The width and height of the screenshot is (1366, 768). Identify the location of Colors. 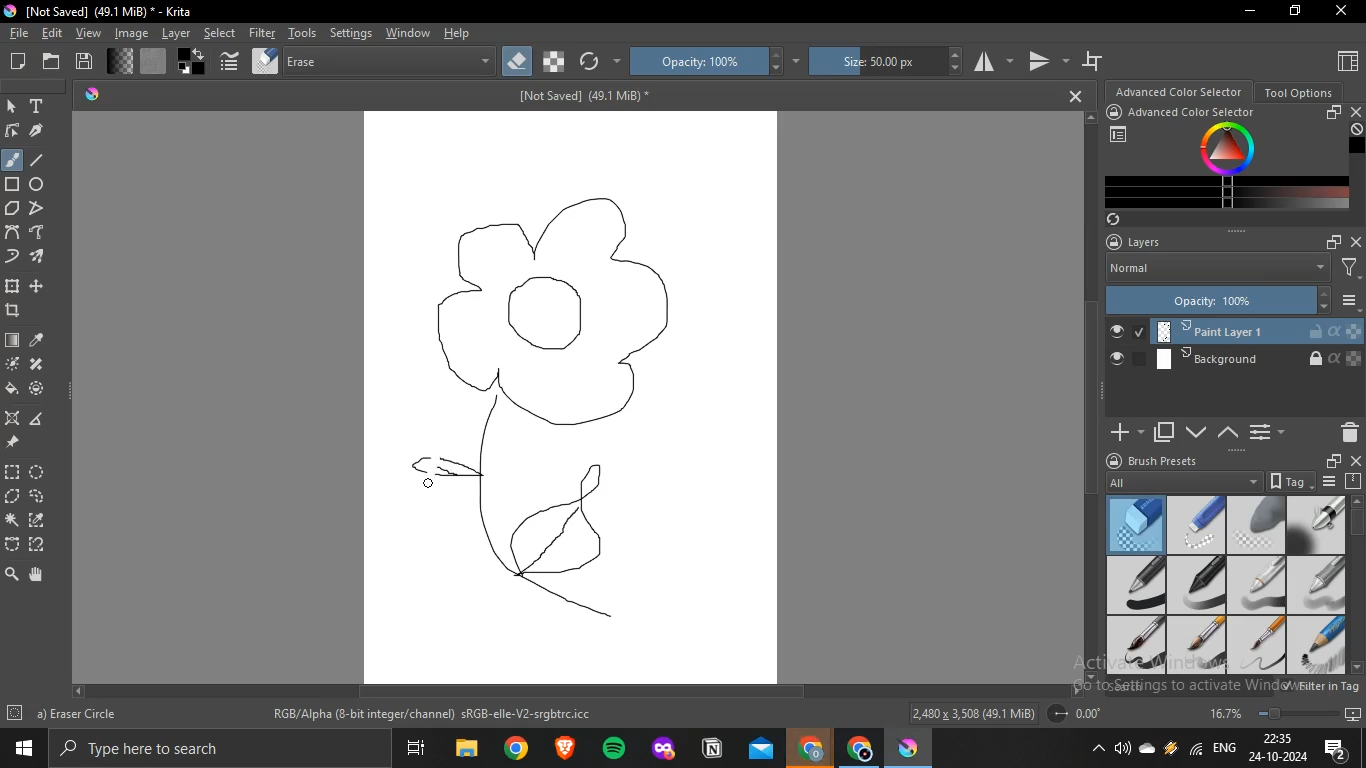
(1230, 150).